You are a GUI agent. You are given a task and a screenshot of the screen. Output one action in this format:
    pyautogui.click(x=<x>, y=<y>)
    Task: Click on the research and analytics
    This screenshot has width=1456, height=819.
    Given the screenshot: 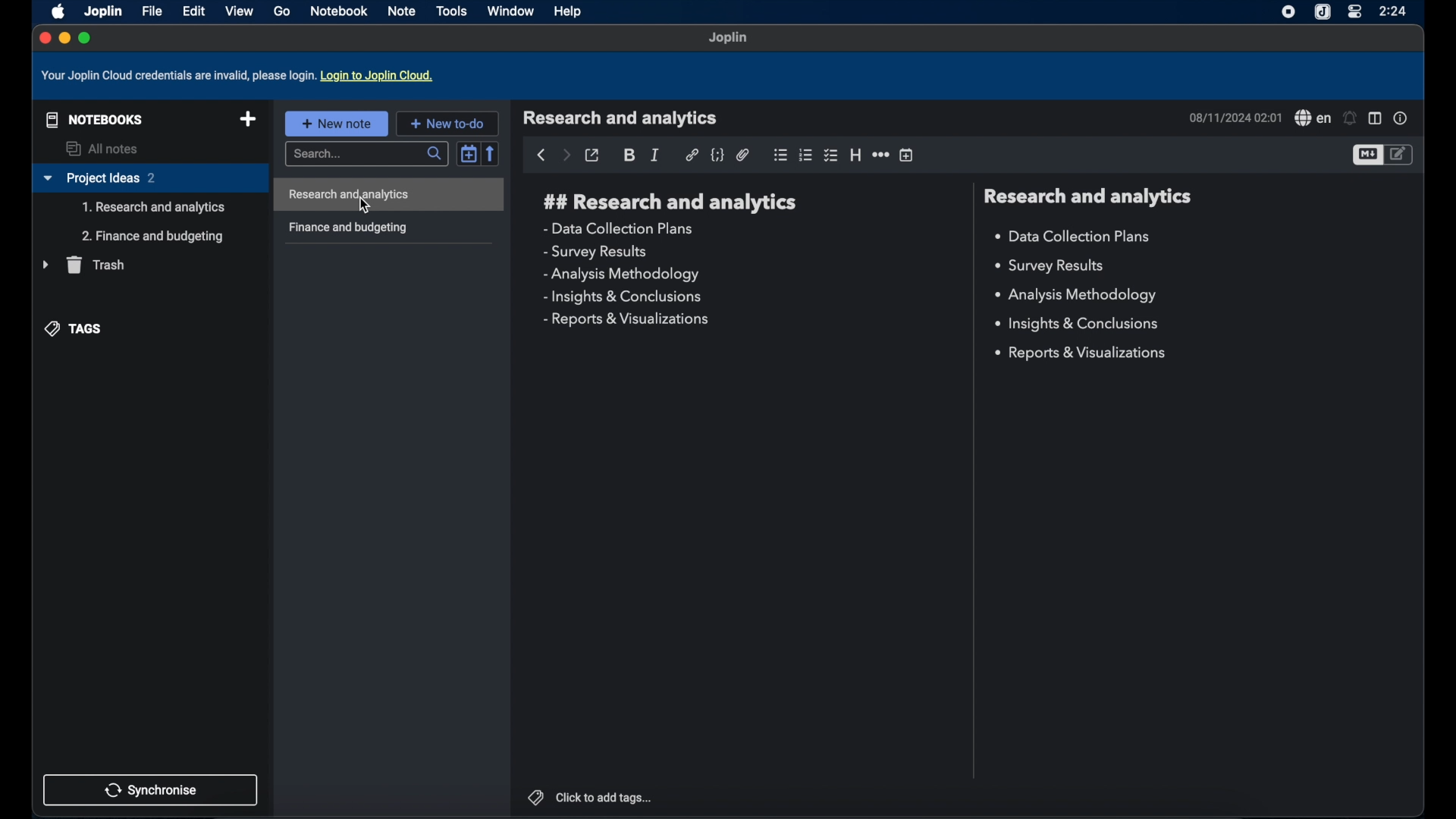 What is the action you would take?
    pyautogui.click(x=1087, y=196)
    